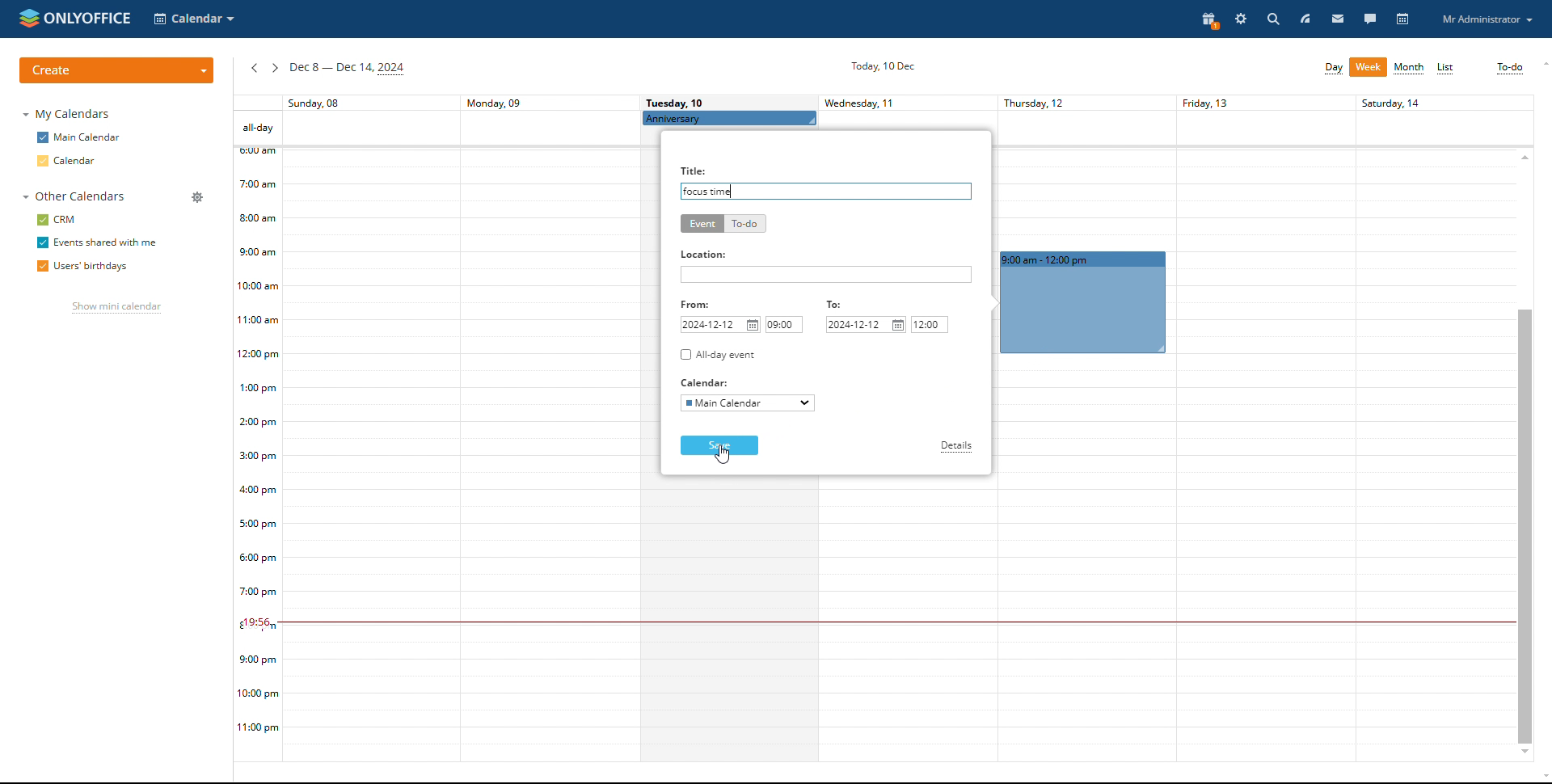 The image size is (1552, 784). What do you see at coordinates (718, 354) in the screenshot?
I see `all-day event checkbox` at bounding box center [718, 354].